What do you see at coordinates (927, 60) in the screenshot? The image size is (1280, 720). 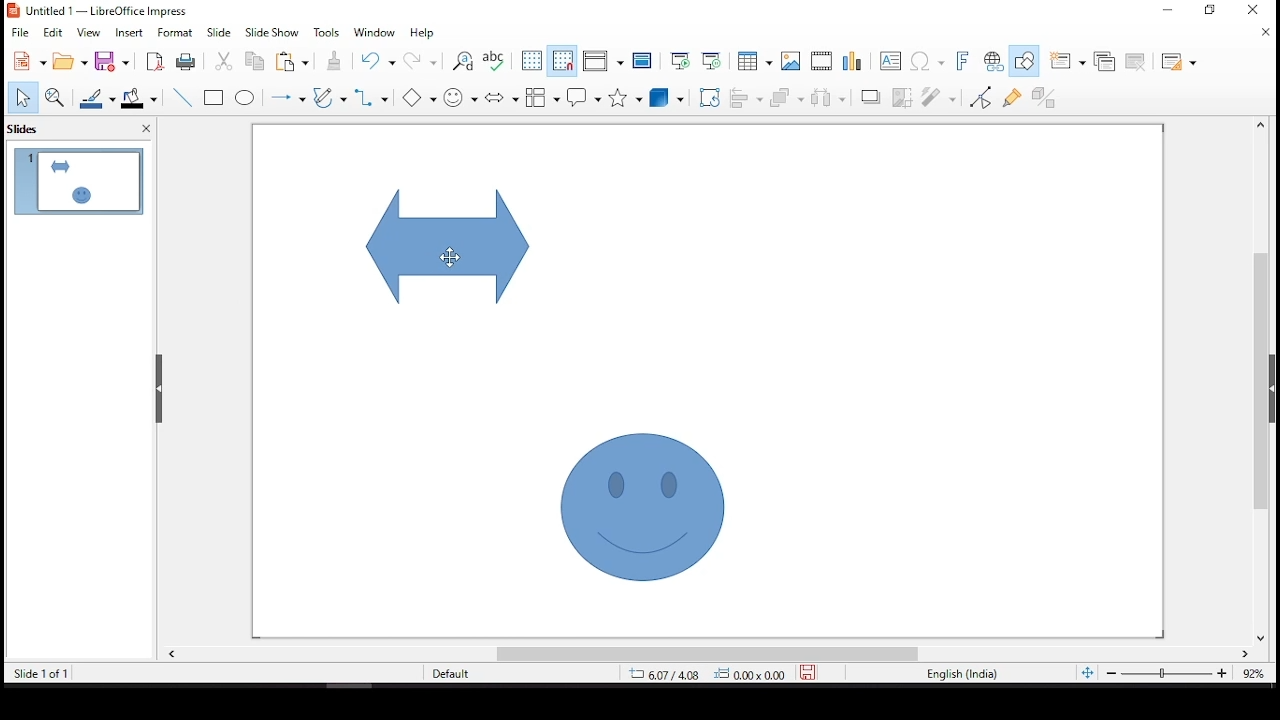 I see `insert special characters` at bounding box center [927, 60].